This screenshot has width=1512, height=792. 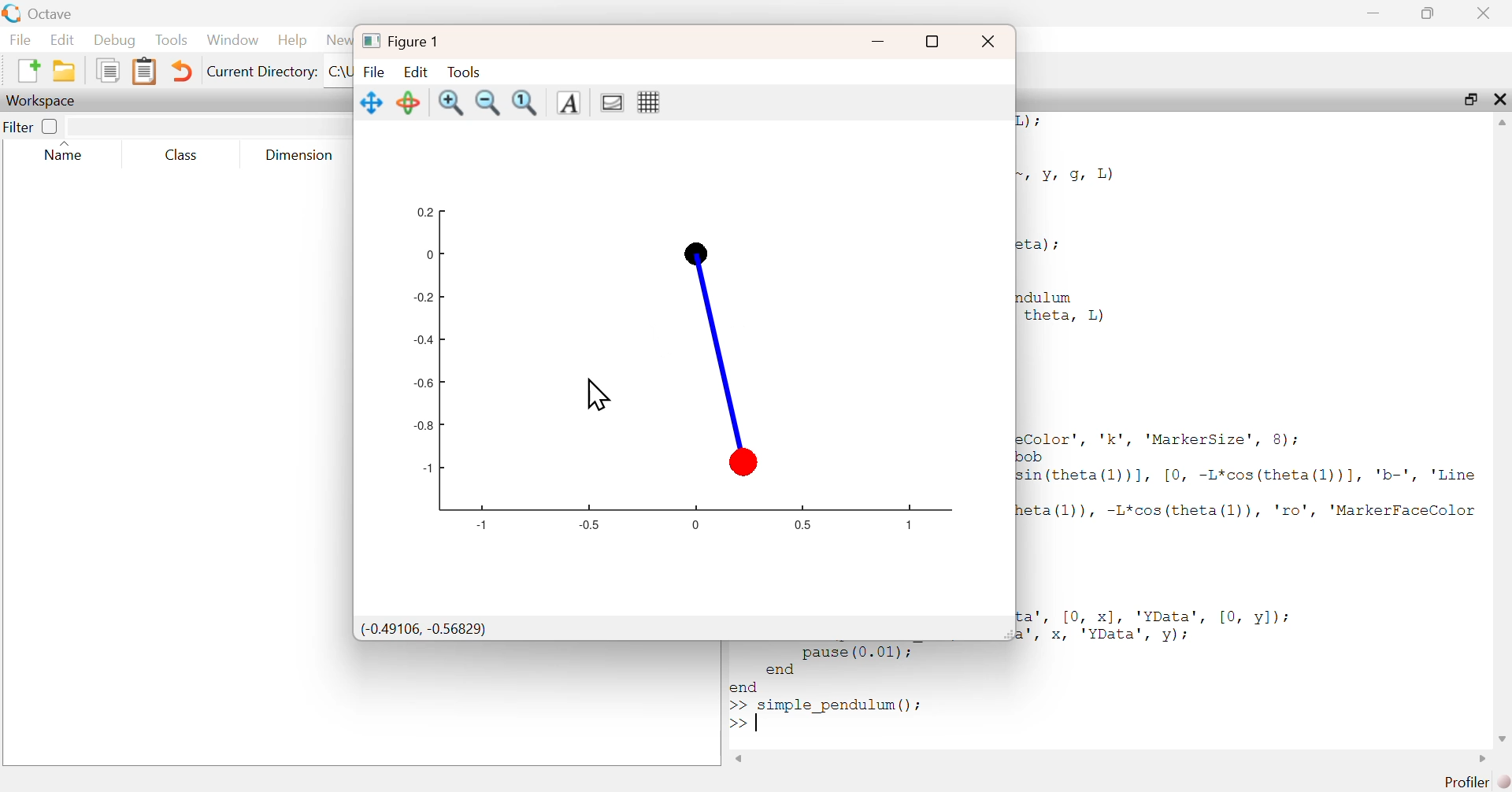 What do you see at coordinates (1500, 99) in the screenshot?
I see `Close` at bounding box center [1500, 99].